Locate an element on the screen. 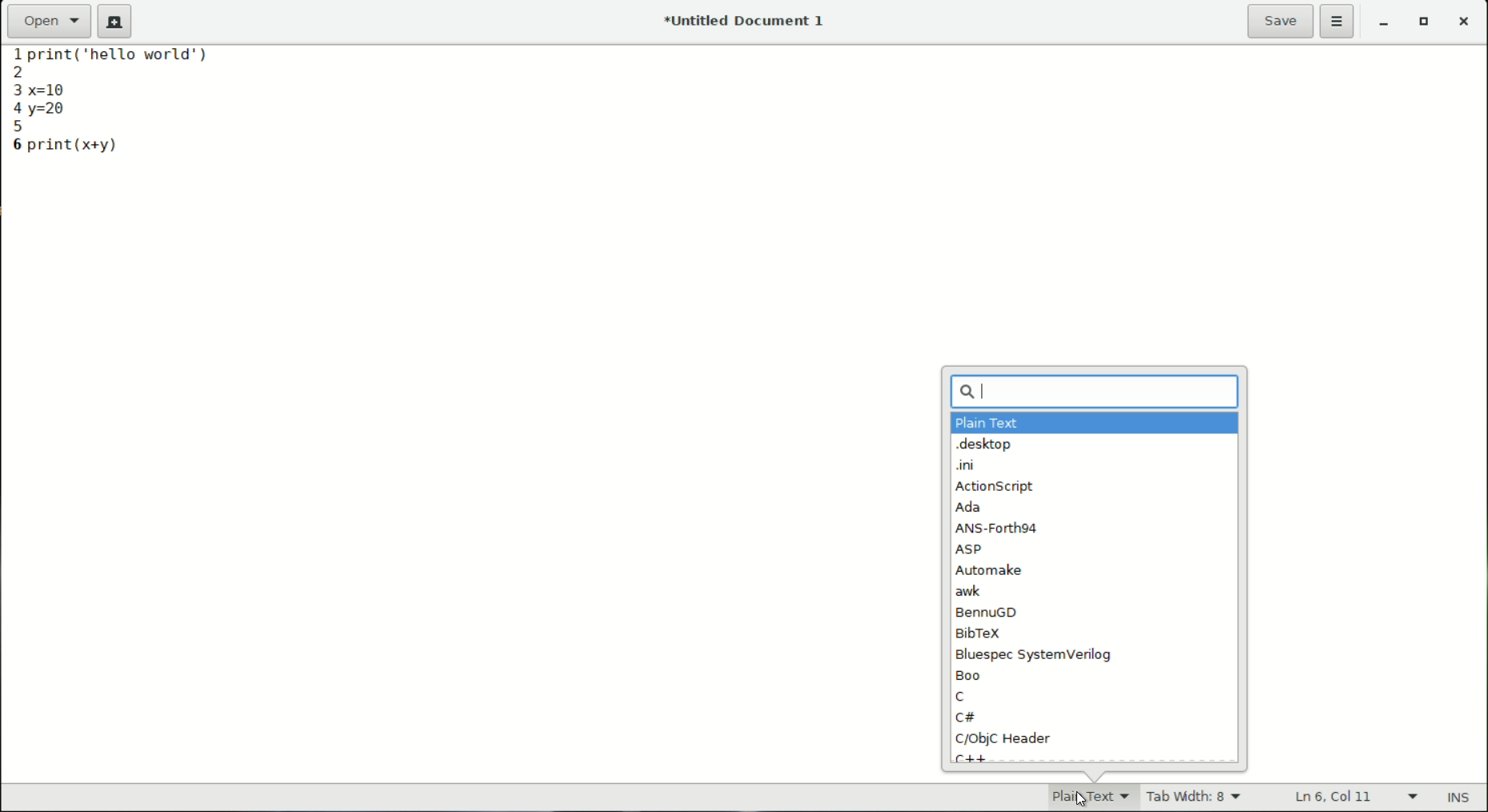 The image size is (1488, 812). tab width is located at coordinates (1194, 798).